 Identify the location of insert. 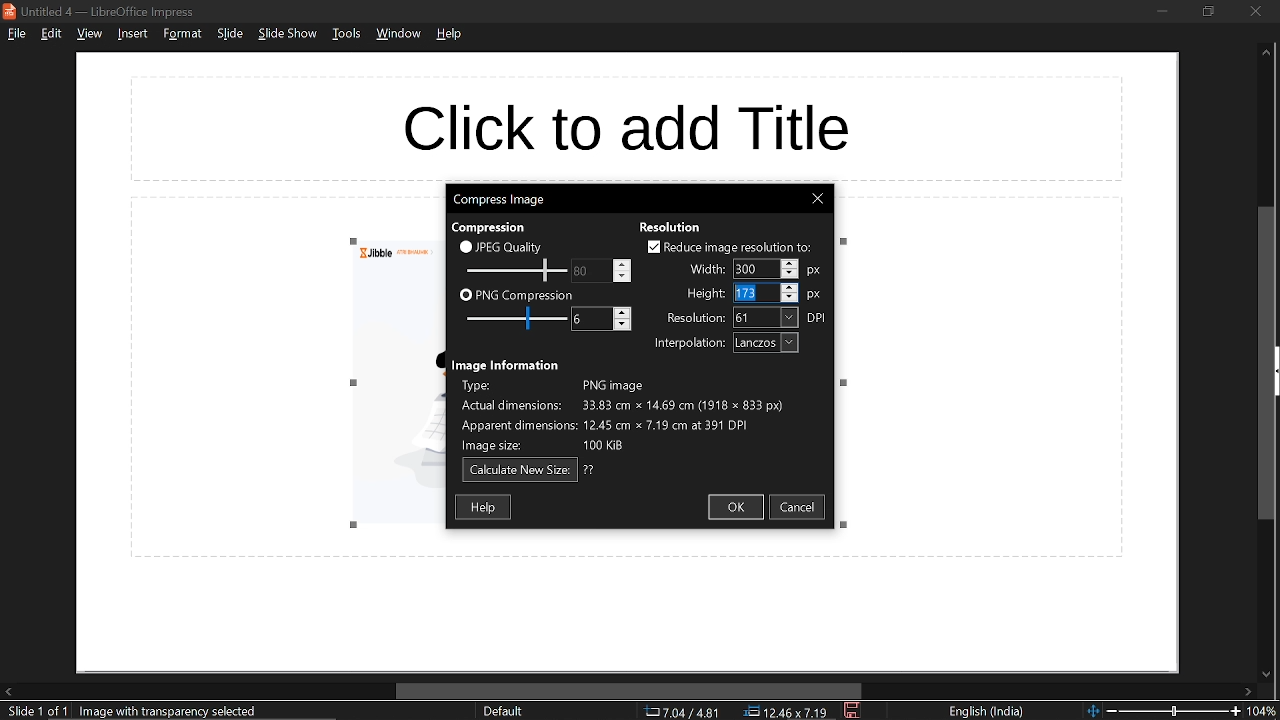
(134, 34).